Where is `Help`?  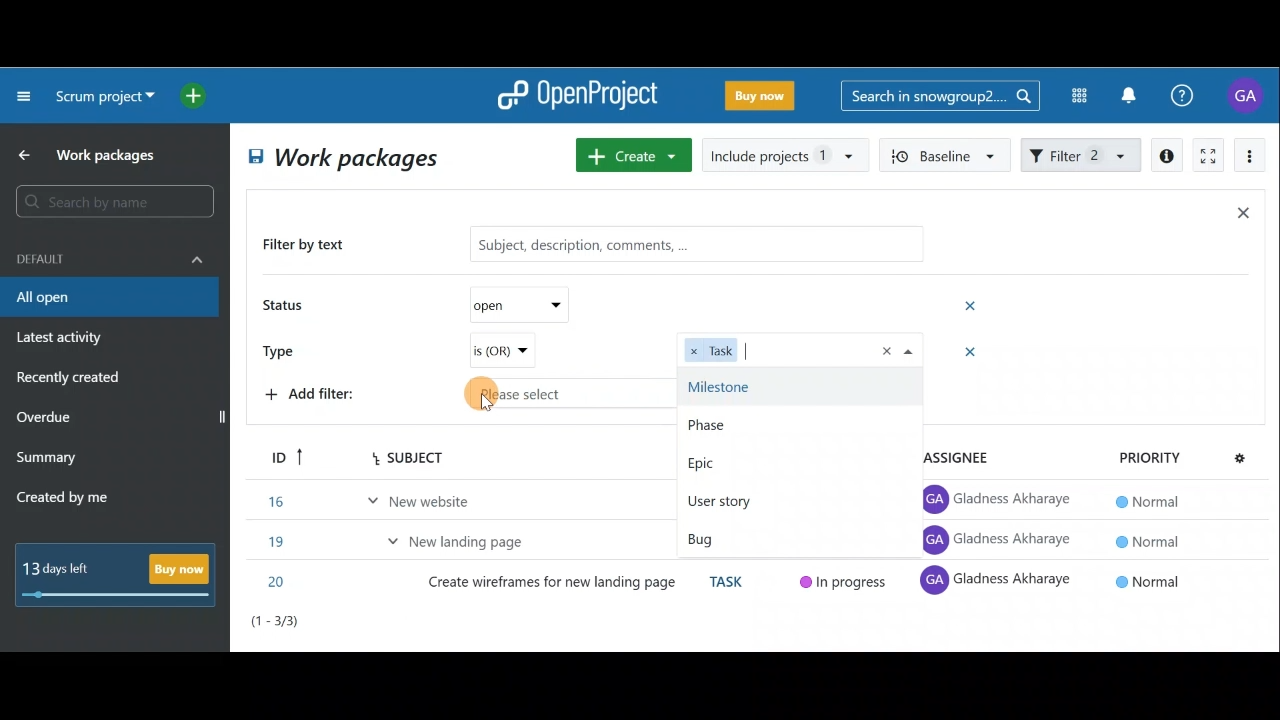
Help is located at coordinates (1193, 96).